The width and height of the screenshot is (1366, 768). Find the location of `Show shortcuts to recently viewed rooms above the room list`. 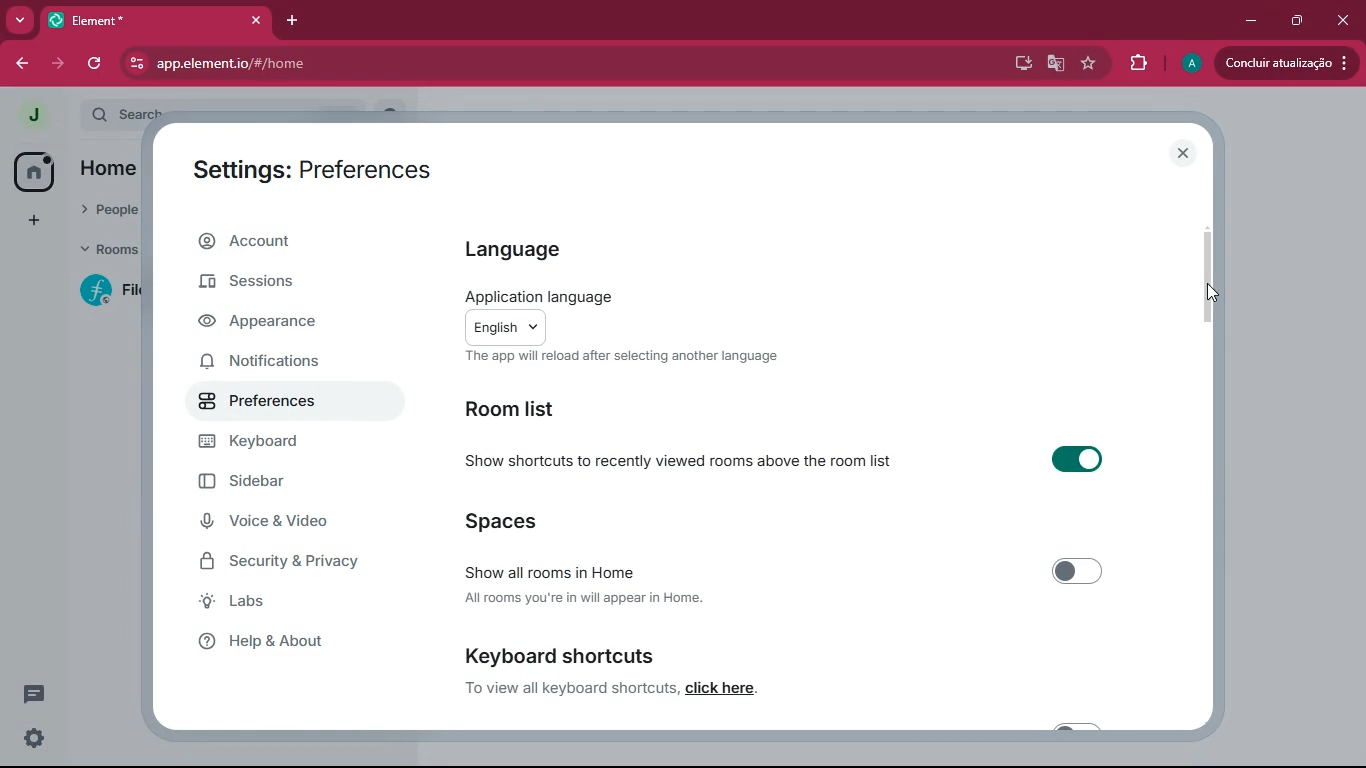

Show shortcuts to recently viewed rooms above the room list is located at coordinates (773, 462).